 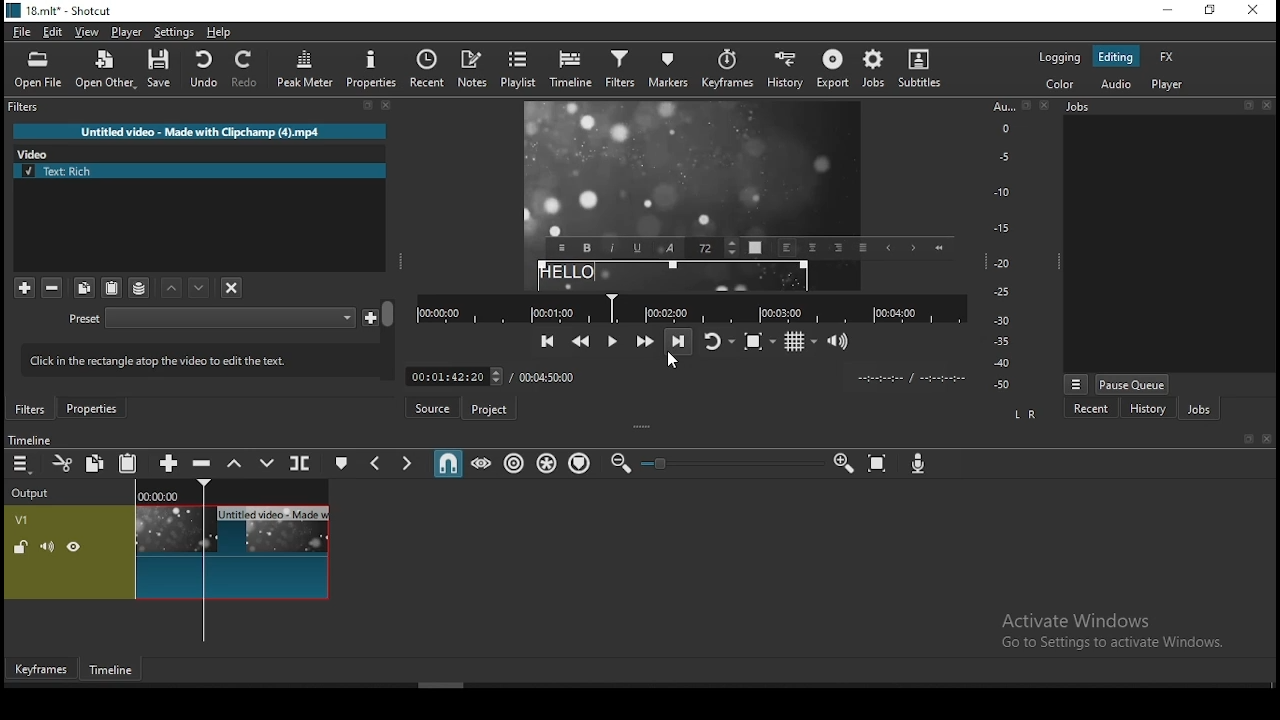 What do you see at coordinates (339, 462) in the screenshot?
I see `create/edit marker` at bounding box center [339, 462].